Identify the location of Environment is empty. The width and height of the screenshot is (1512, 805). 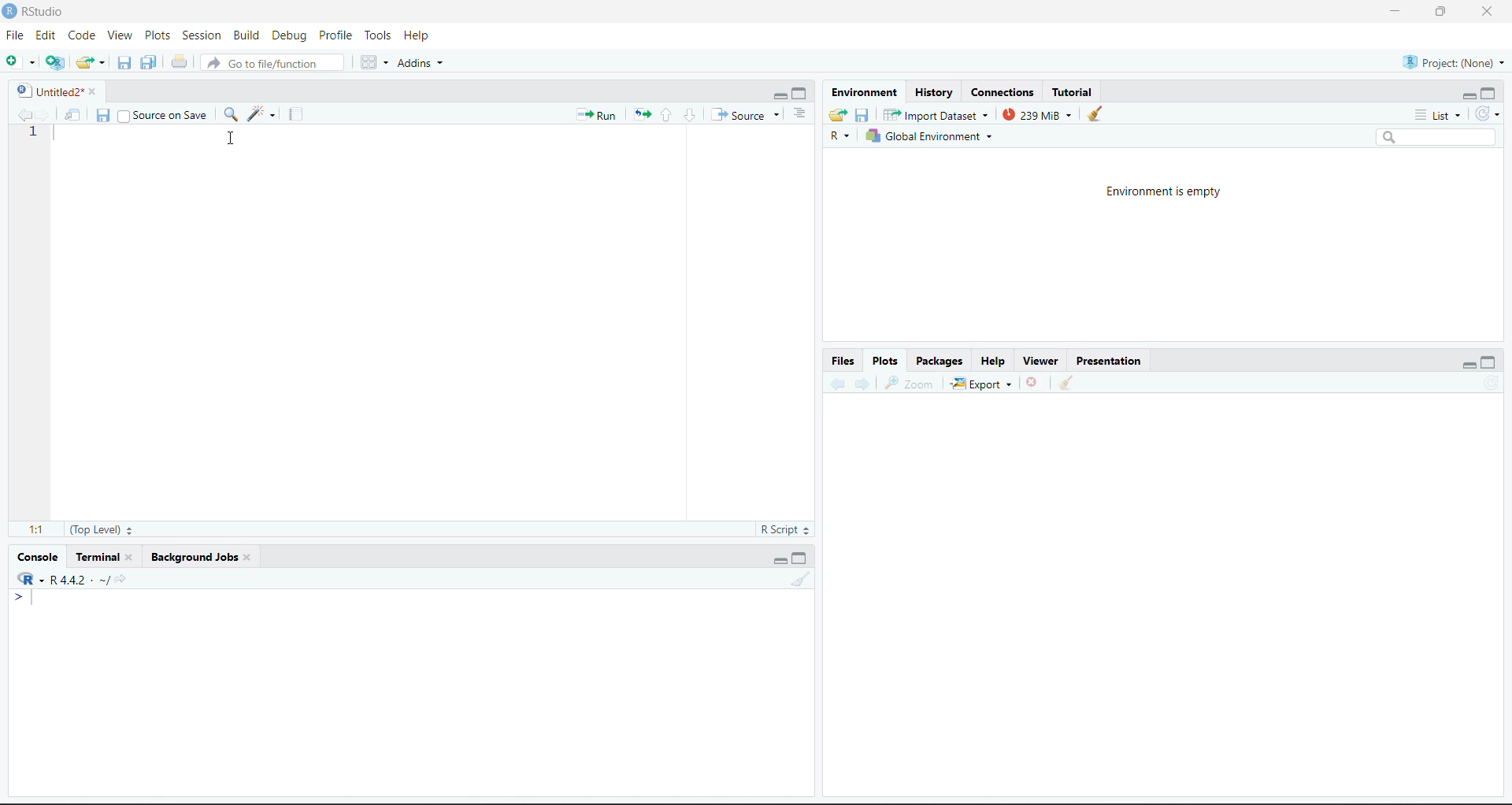
(1166, 191).